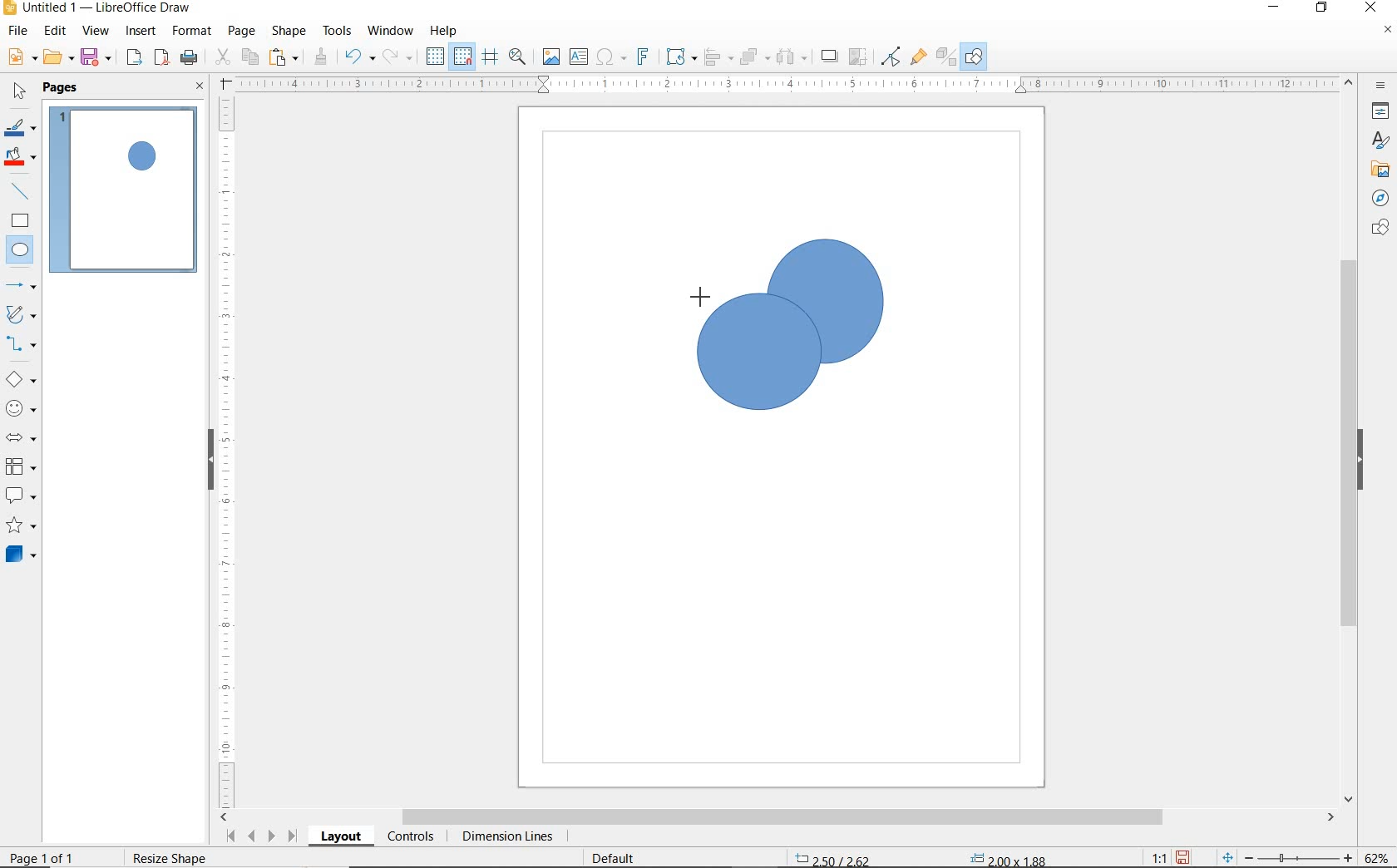 This screenshot has height=868, width=1397. I want to click on ZOOM FACTOR, so click(1377, 855).